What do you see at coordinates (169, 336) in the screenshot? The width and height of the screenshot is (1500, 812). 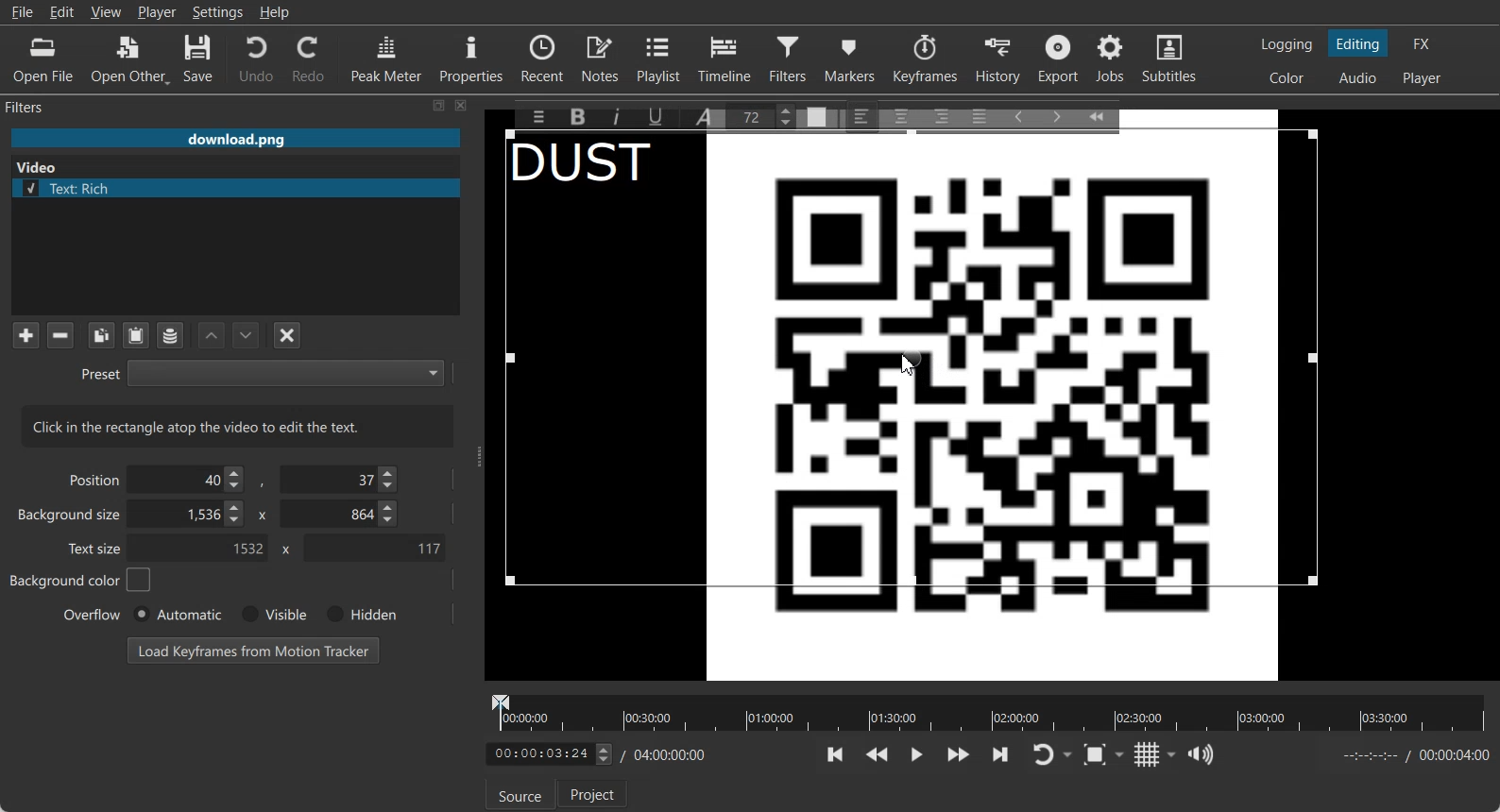 I see `Save a filter set` at bounding box center [169, 336].